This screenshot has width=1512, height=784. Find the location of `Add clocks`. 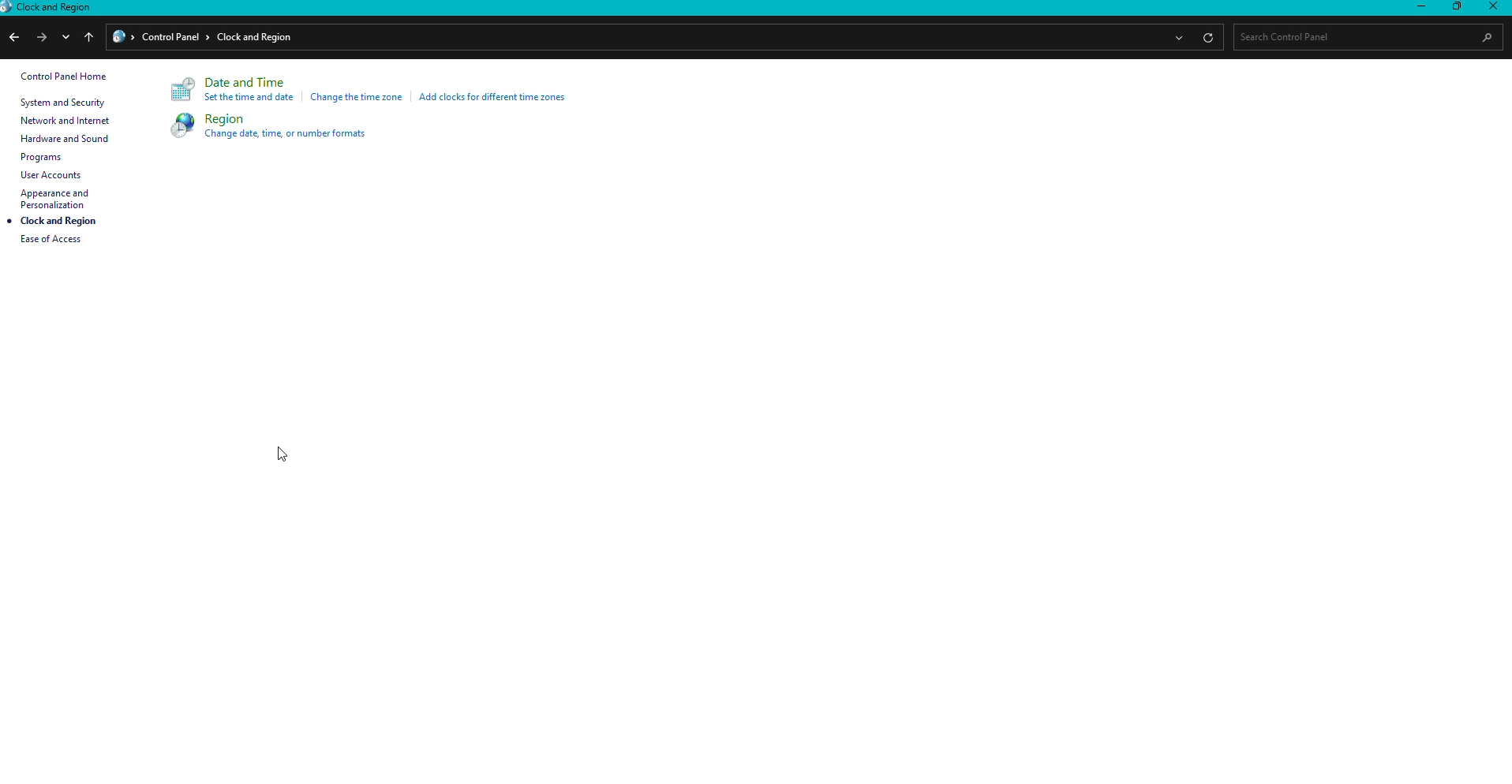

Add clocks is located at coordinates (496, 96).